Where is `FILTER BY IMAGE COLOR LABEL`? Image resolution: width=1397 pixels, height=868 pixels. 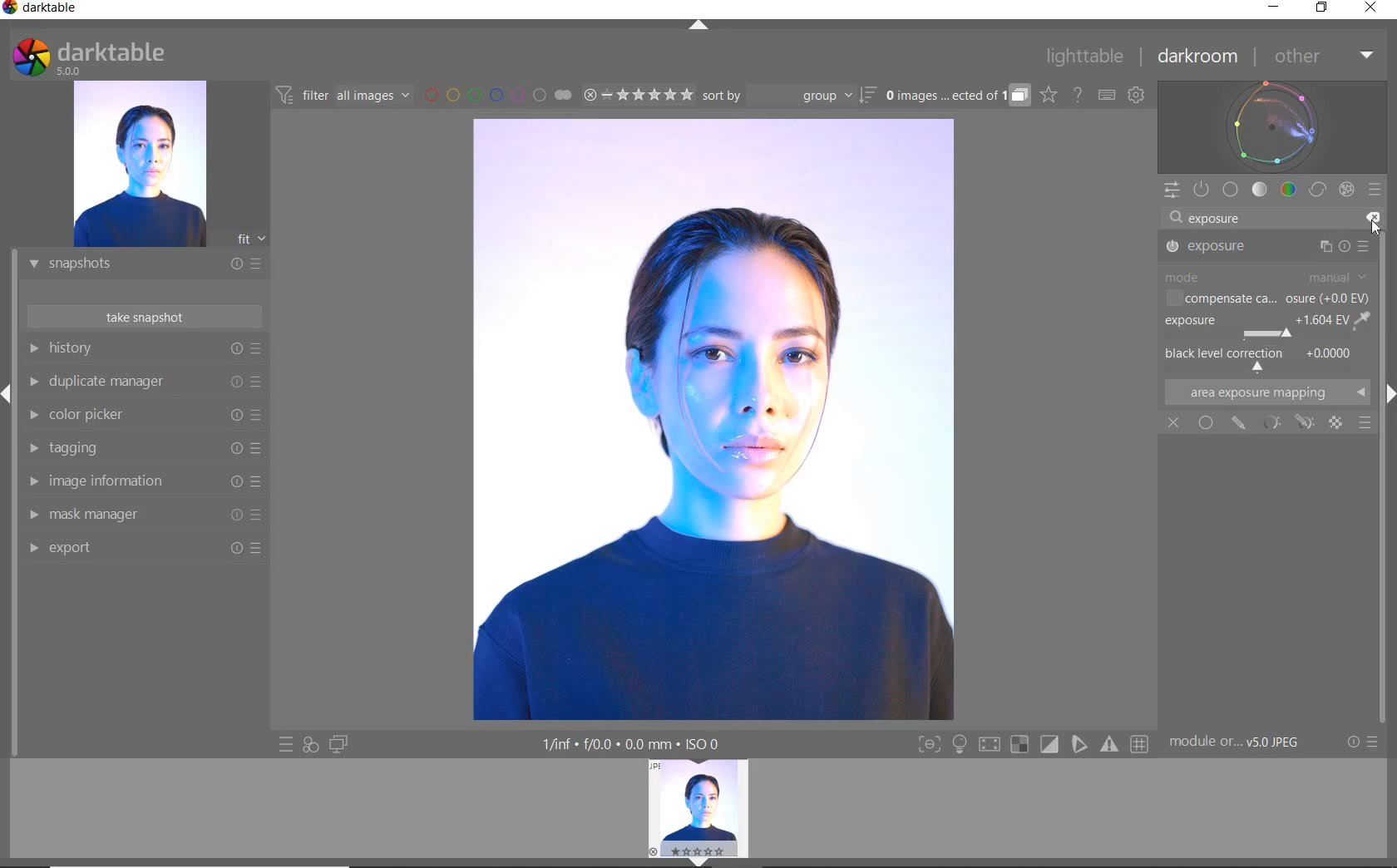
FILTER BY IMAGE COLOR LABEL is located at coordinates (498, 94).